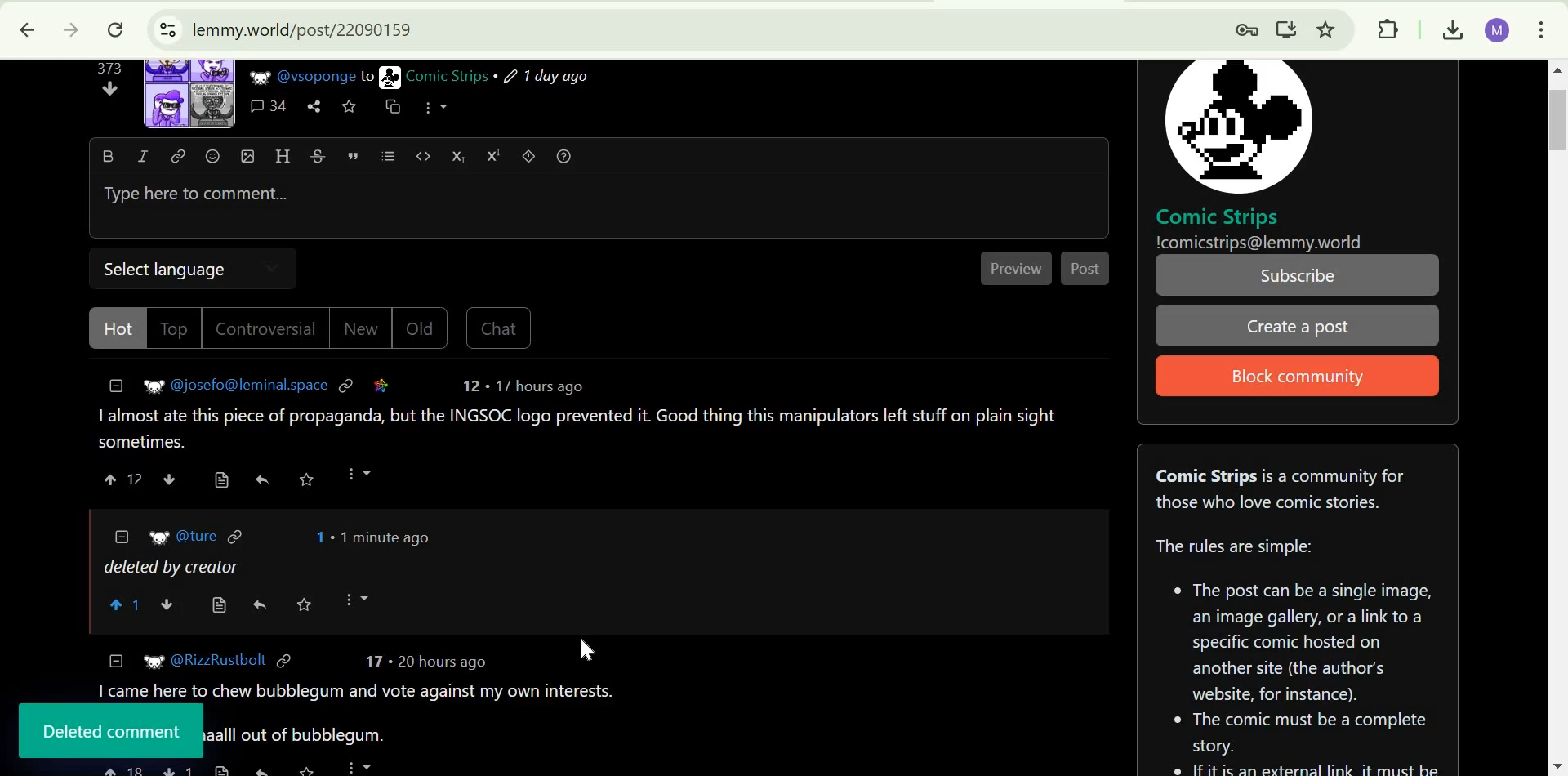  Describe the element at coordinates (1327, 29) in the screenshot. I see `Bookmark this tab` at that location.